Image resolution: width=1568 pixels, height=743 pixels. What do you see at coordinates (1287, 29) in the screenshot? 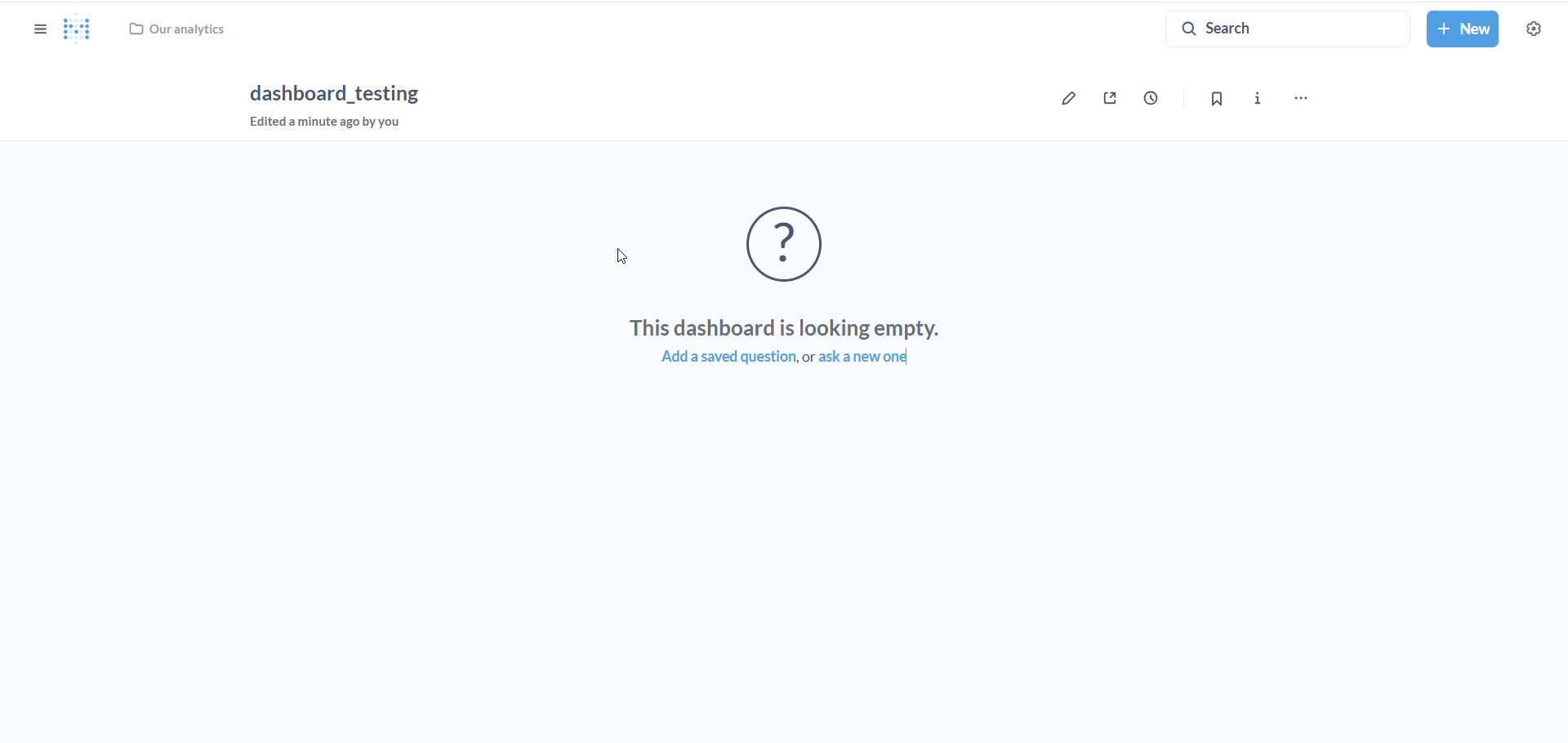
I see `SEARCH BUTTON` at bounding box center [1287, 29].